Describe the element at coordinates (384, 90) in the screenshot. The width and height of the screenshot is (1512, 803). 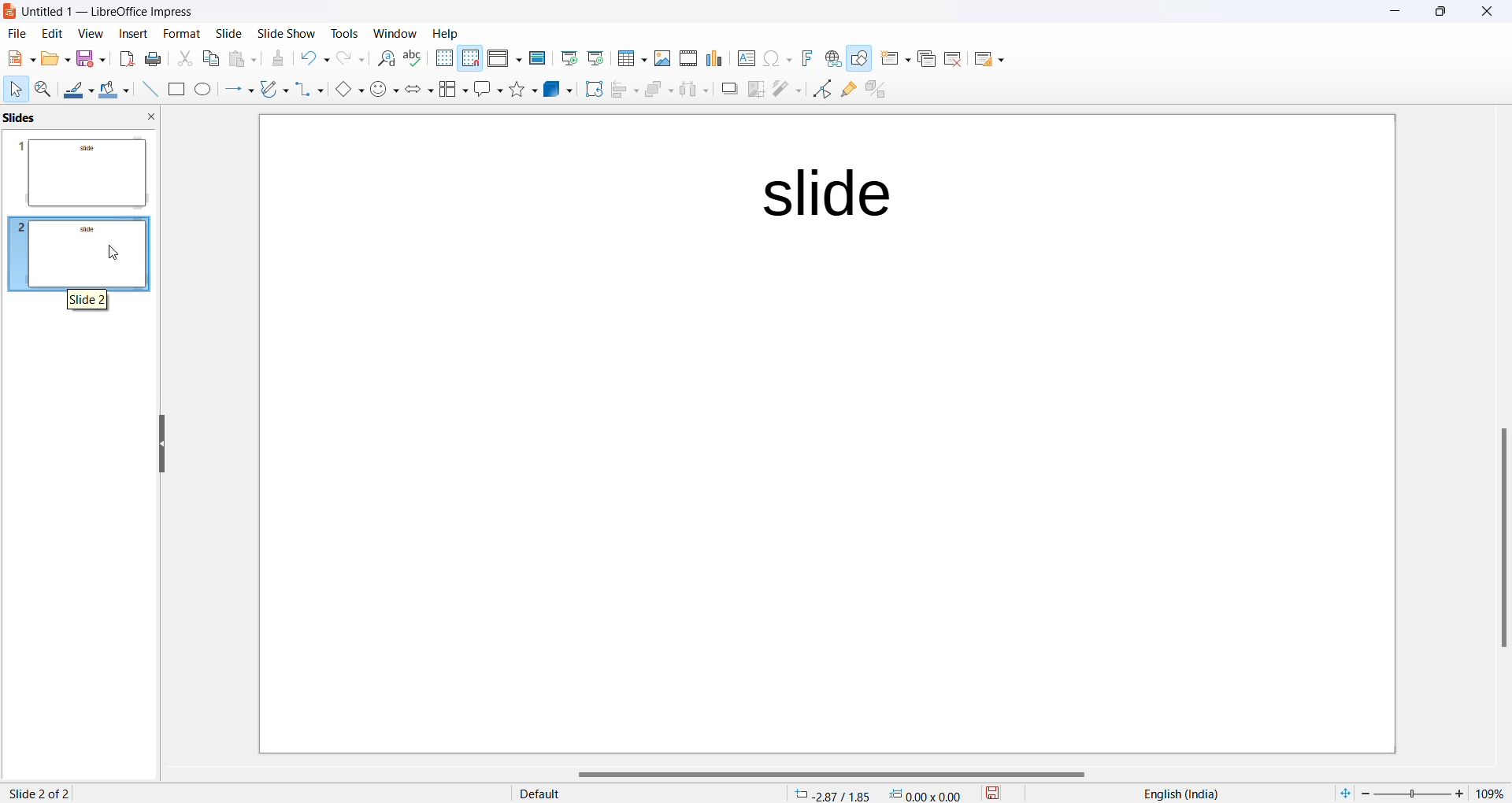
I see `symbol shapes` at that location.